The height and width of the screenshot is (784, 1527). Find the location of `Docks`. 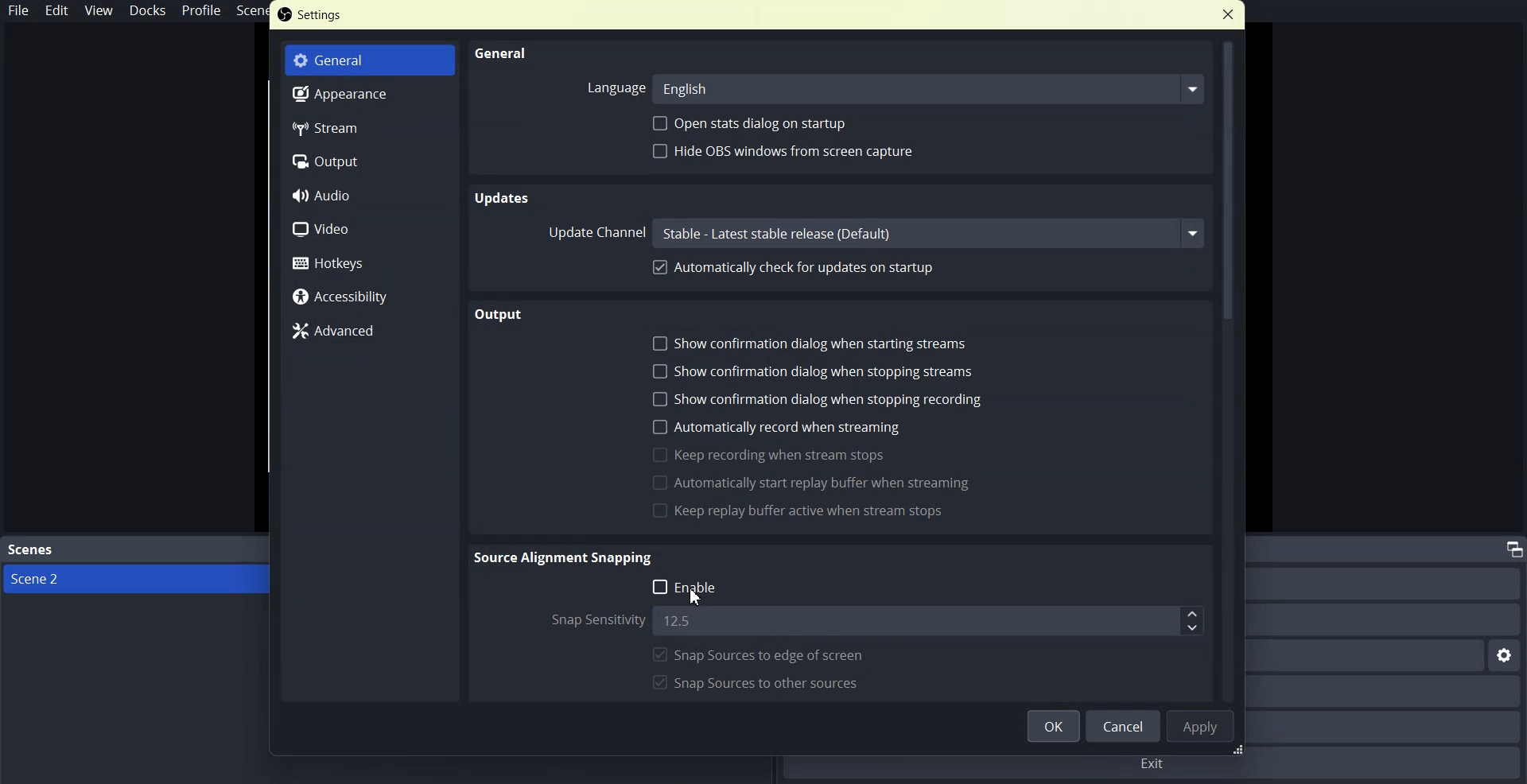

Docks is located at coordinates (147, 10).